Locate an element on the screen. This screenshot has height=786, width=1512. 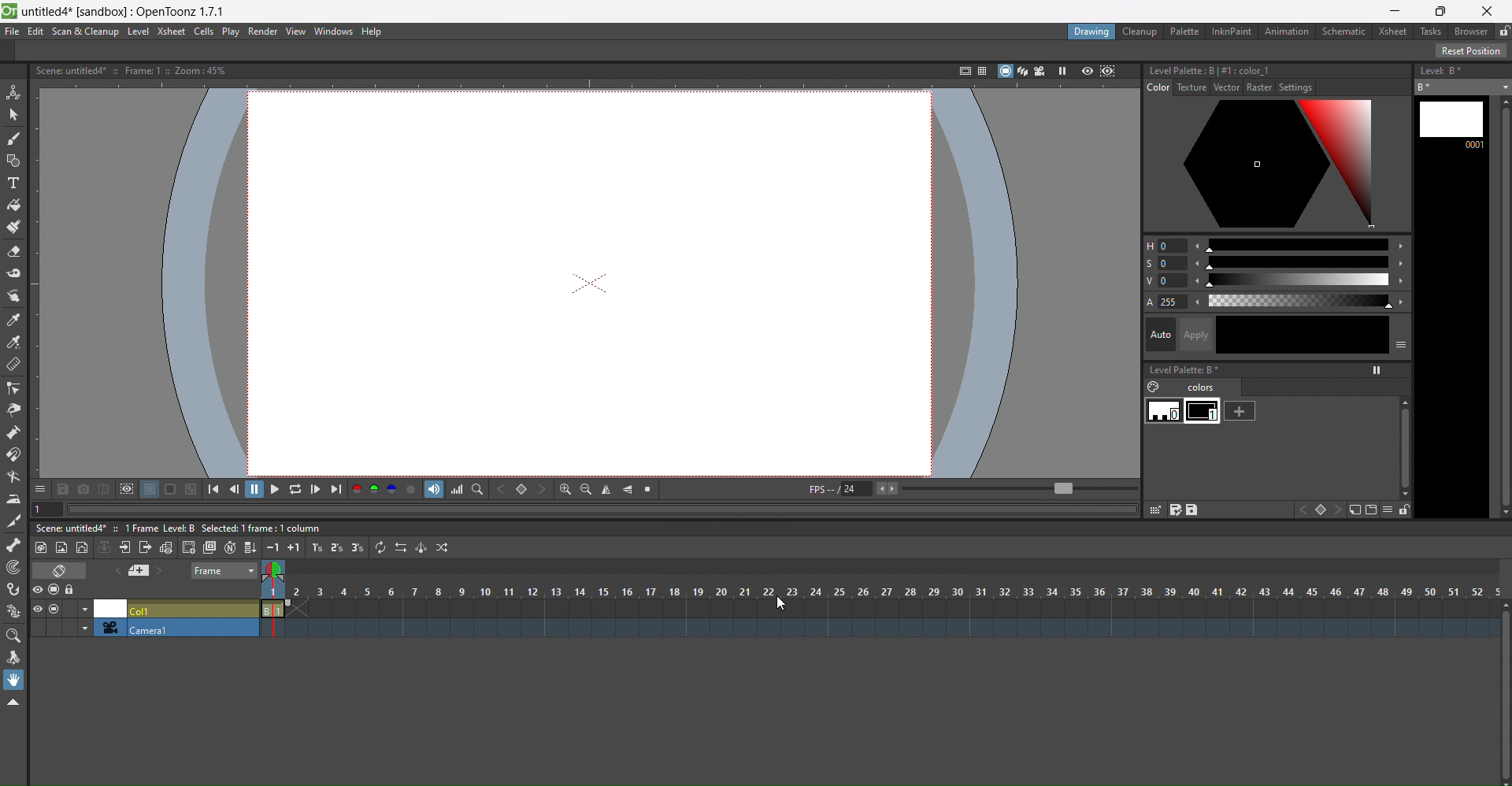
file is located at coordinates (13, 32).